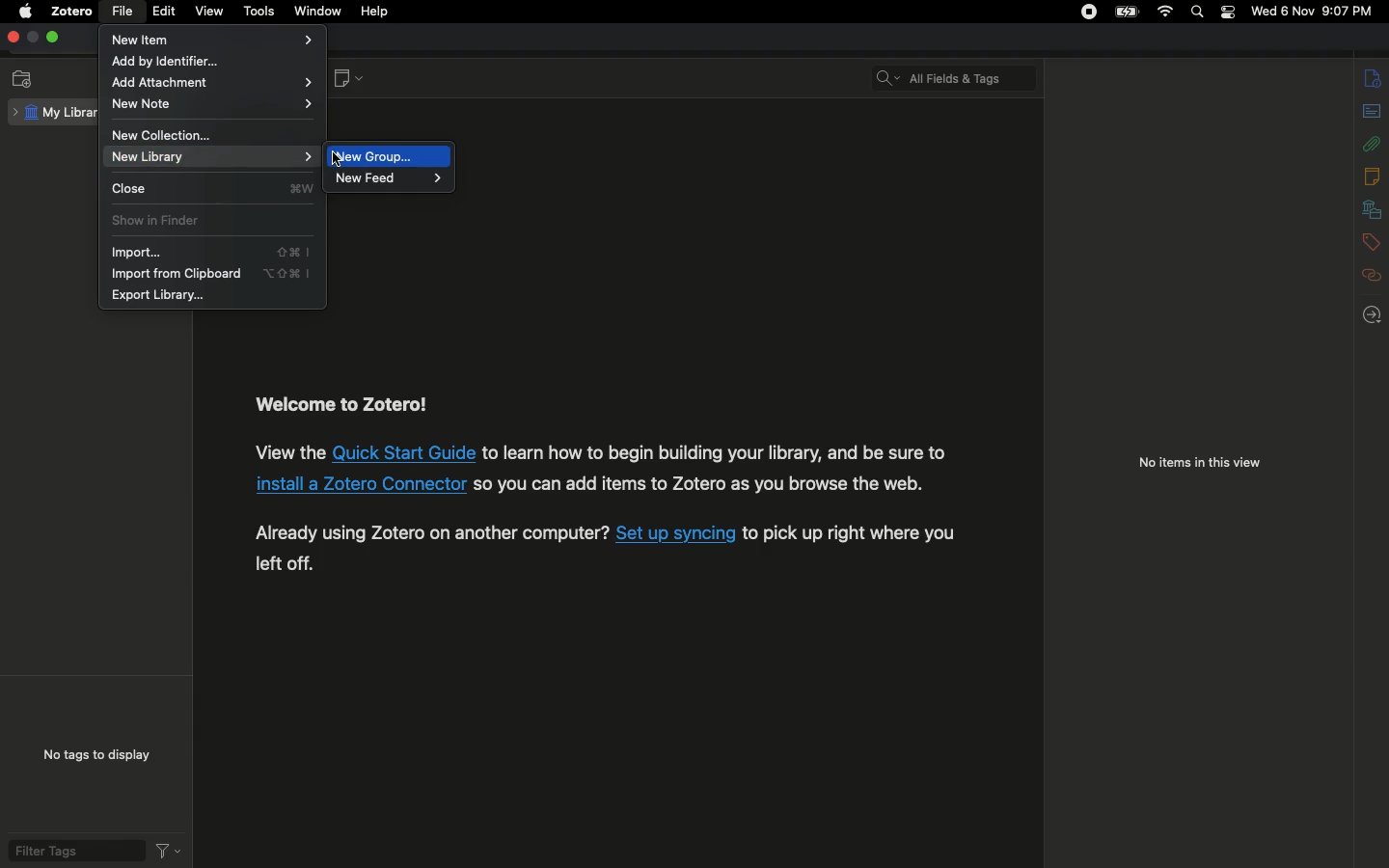  What do you see at coordinates (288, 451) in the screenshot?
I see `View the` at bounding box center [288, 451].